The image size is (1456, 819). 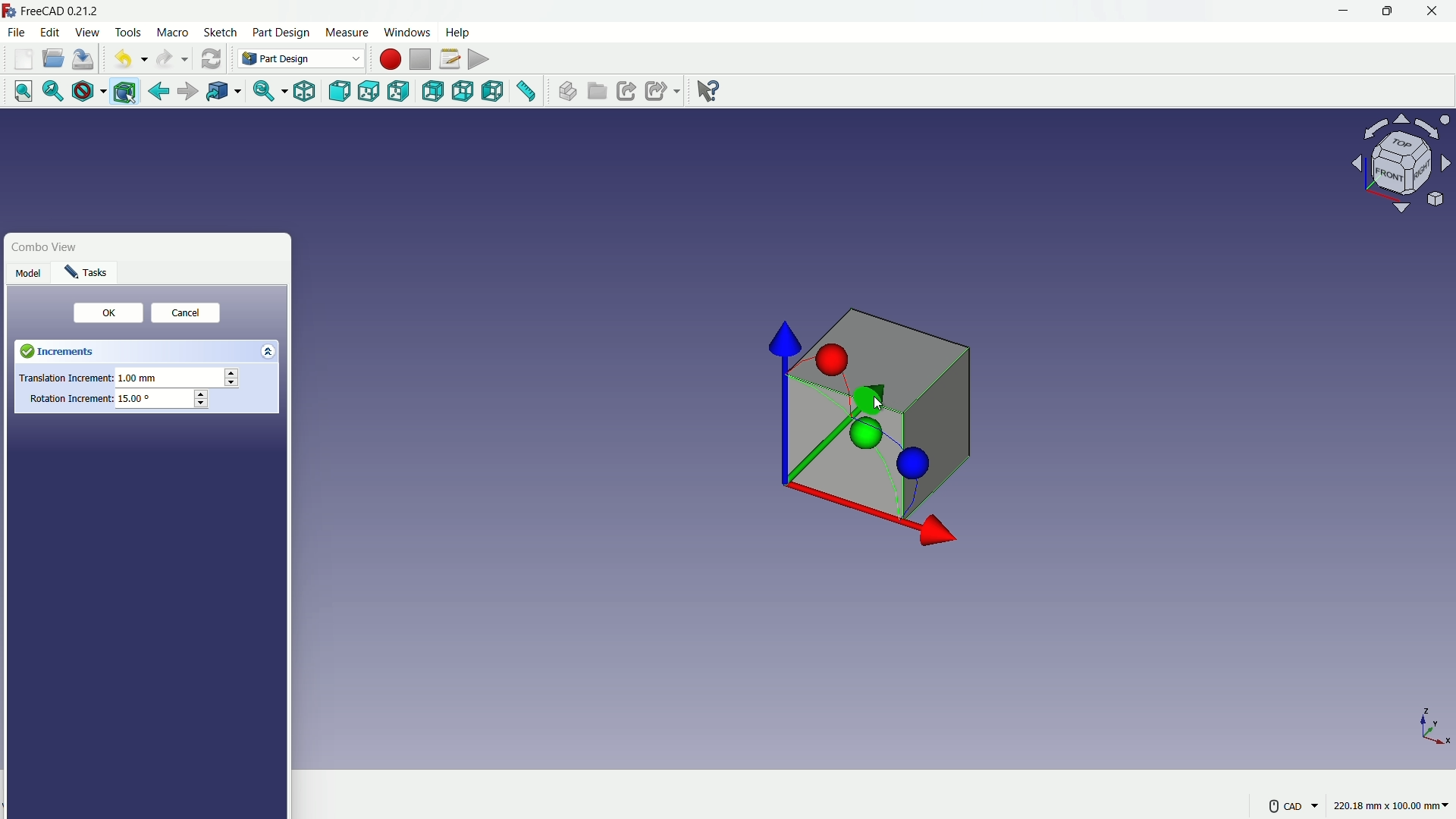 I want to click on save file, so click(x=85, y=60).